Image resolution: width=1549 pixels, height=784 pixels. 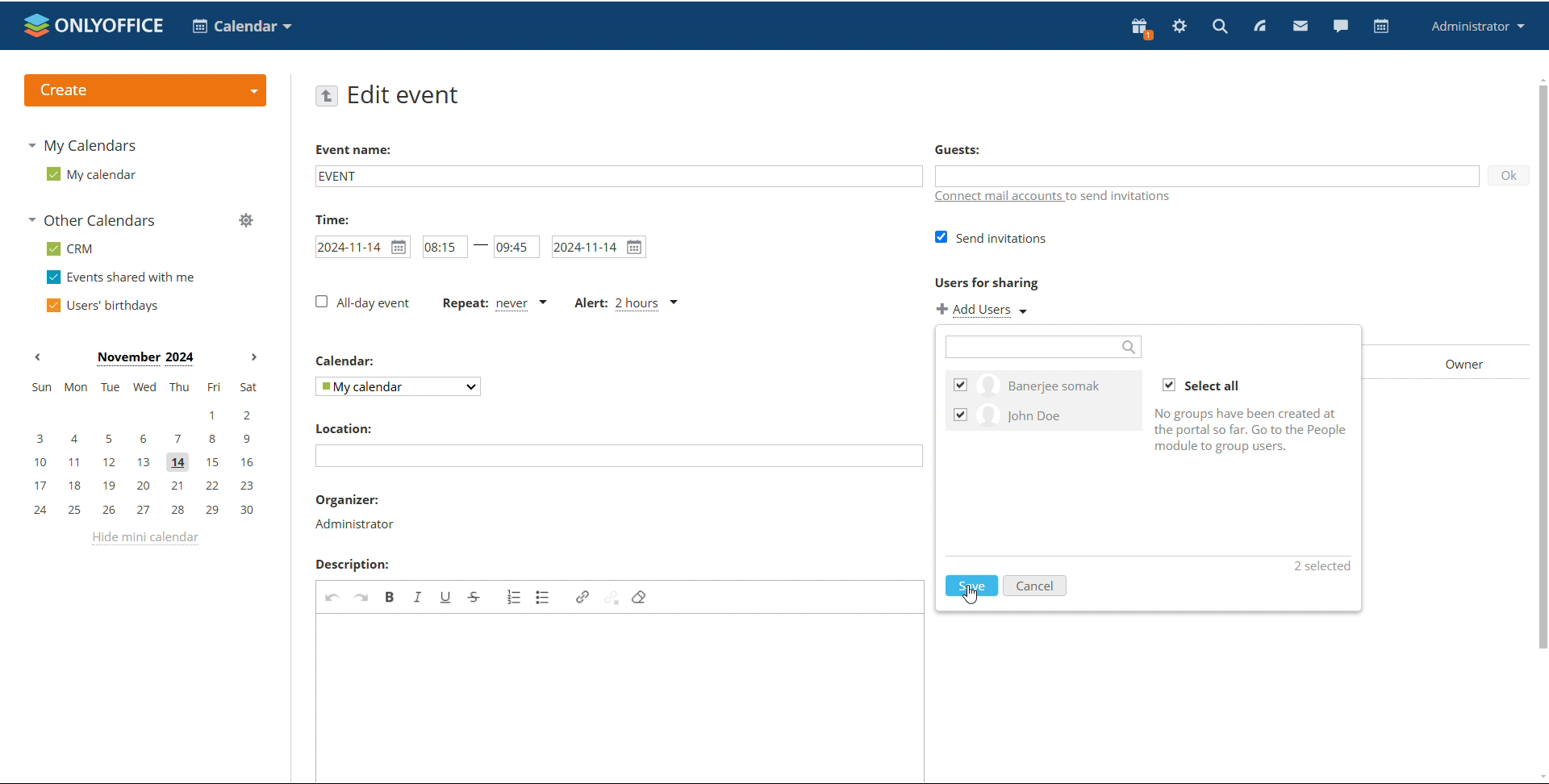 What do you see at coordinates (1220, 25) in the screenshot?
I see `search` at bounding box center [1220, 25].